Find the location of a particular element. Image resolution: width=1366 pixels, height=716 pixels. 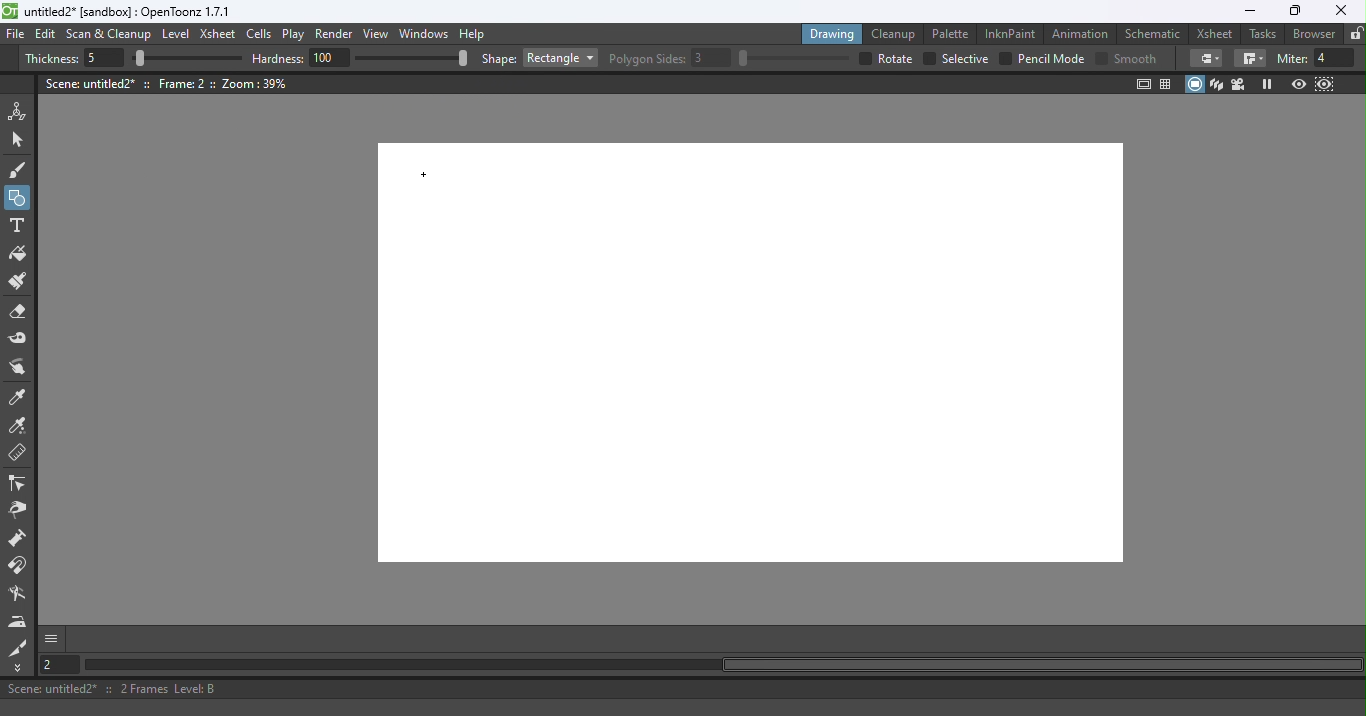

Selection tool is located at coordinates (21, 139).